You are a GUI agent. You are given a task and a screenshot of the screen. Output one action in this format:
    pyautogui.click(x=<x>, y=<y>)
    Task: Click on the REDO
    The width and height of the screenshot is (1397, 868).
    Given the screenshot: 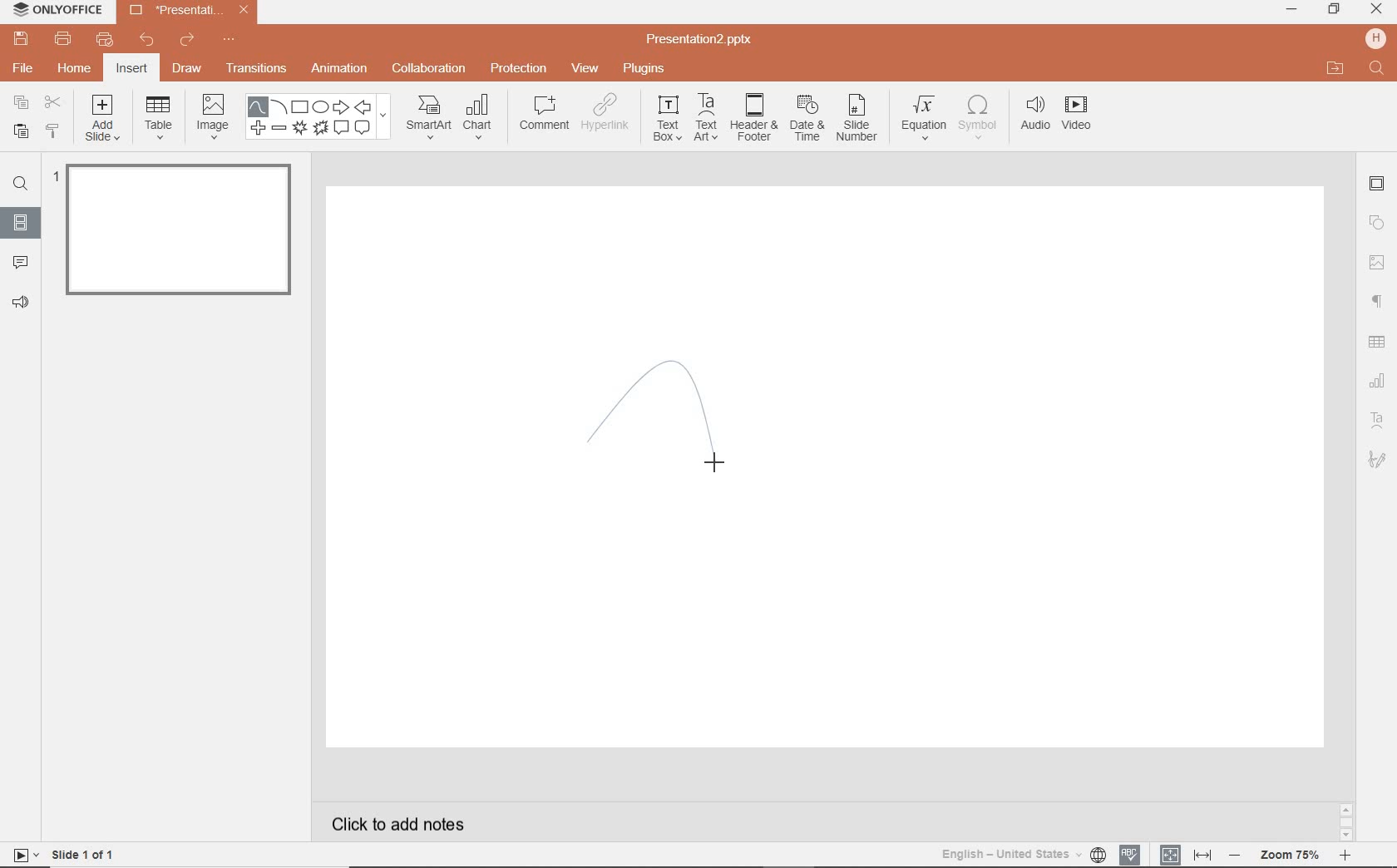 What is the action you would take?
    pyautogui.click(x=187, y=41)
    